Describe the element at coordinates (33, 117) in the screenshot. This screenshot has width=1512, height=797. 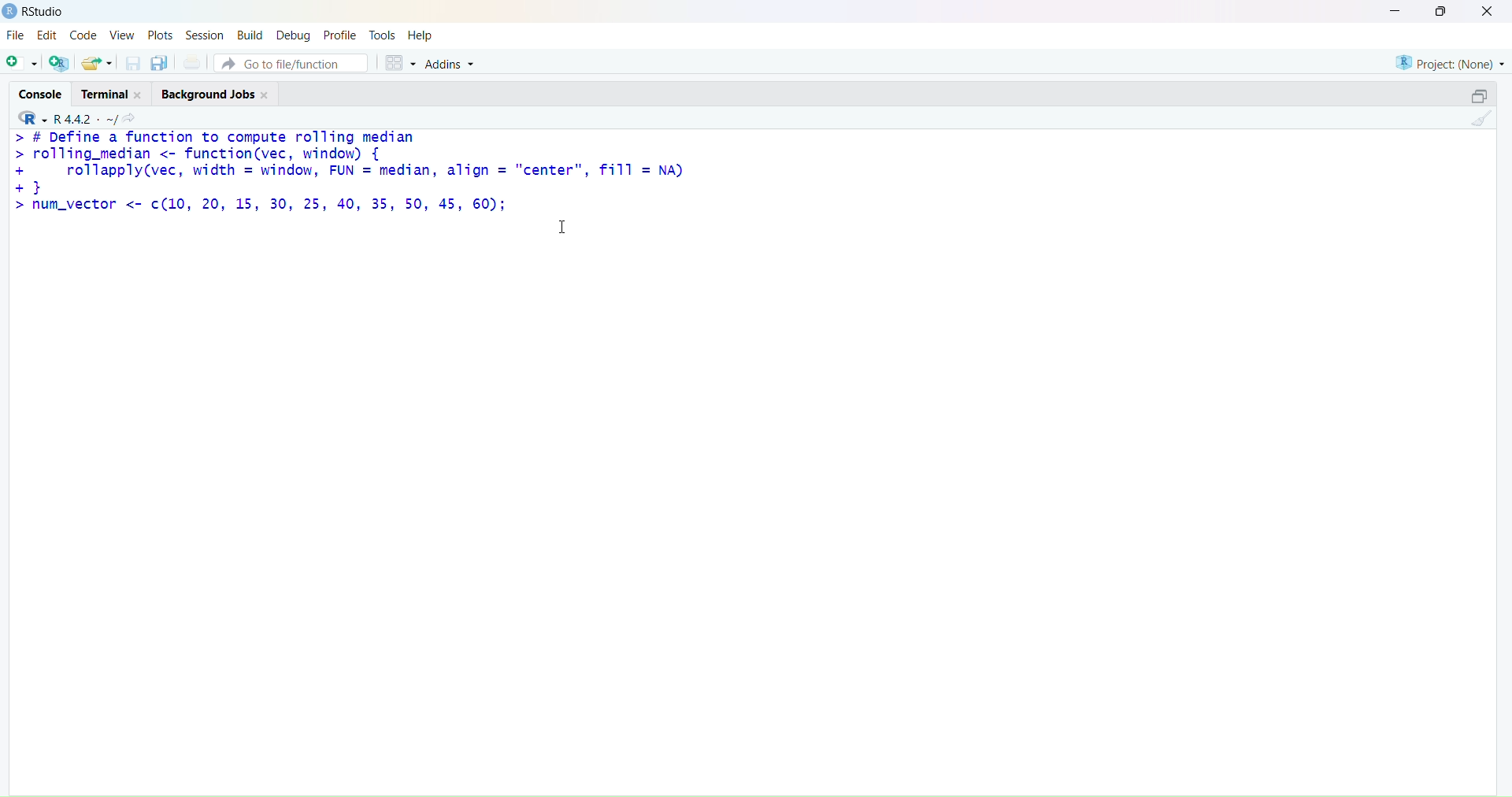
I see `R` at that location.